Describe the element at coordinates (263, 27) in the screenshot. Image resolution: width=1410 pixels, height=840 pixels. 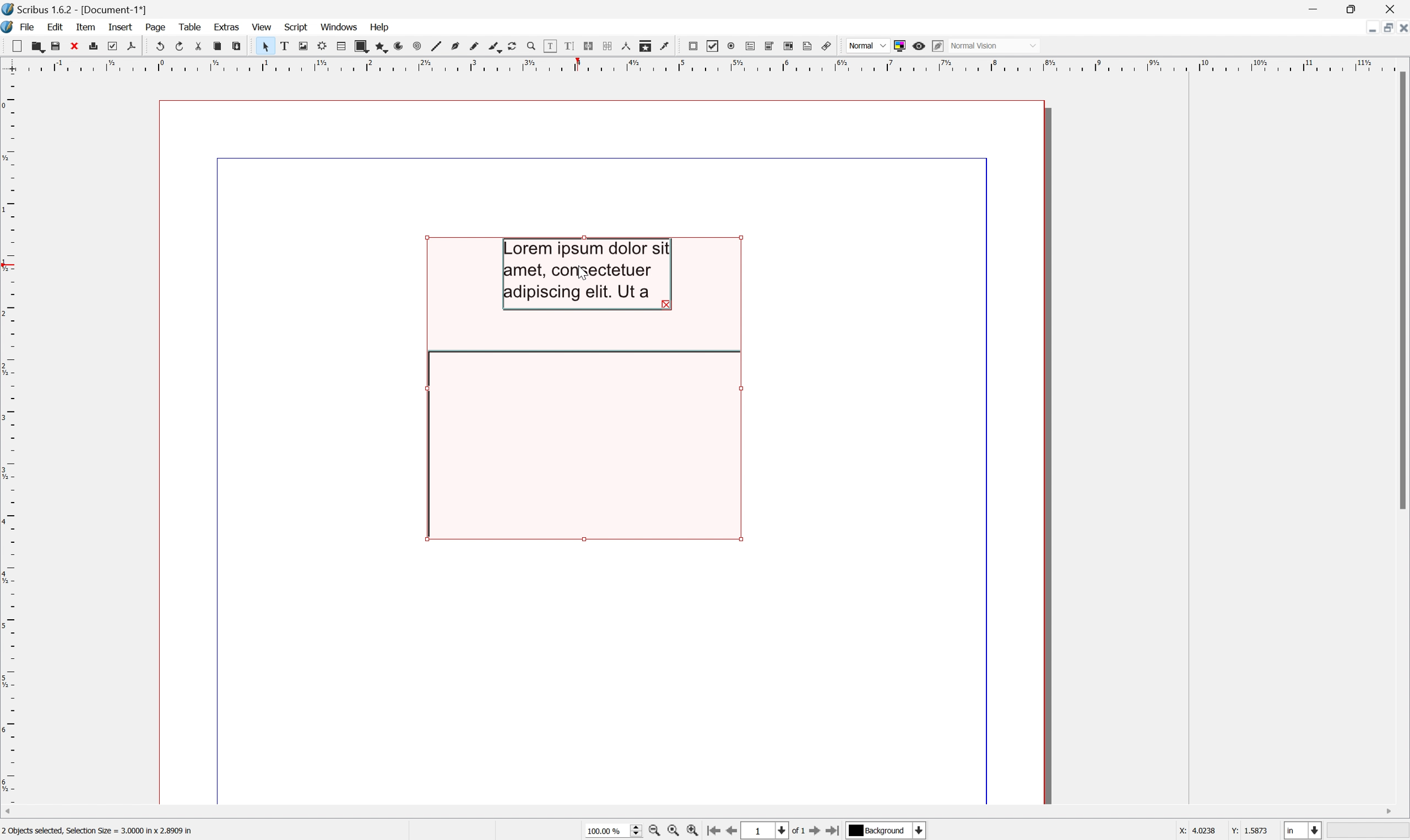
I see `View` at that location.